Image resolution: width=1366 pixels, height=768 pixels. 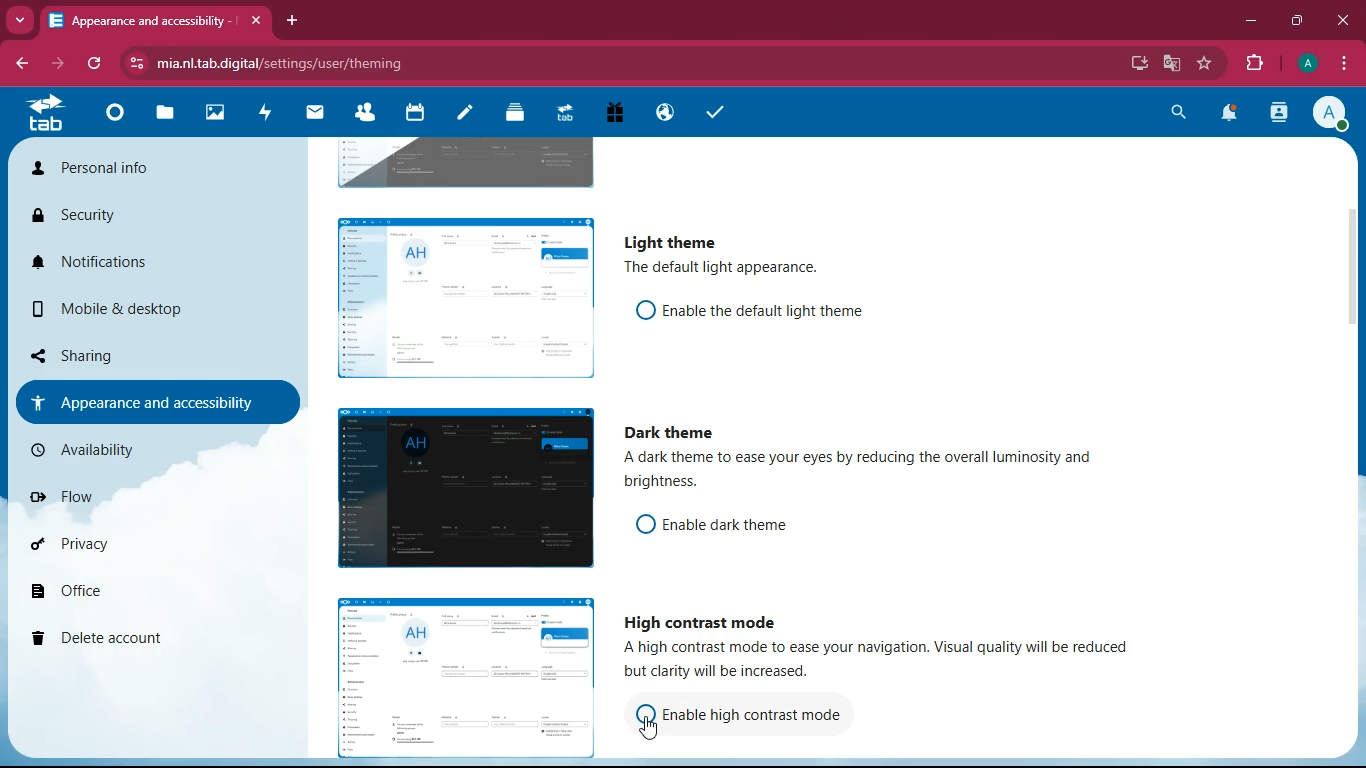 I want to click on description, so click(x=884, y=662).